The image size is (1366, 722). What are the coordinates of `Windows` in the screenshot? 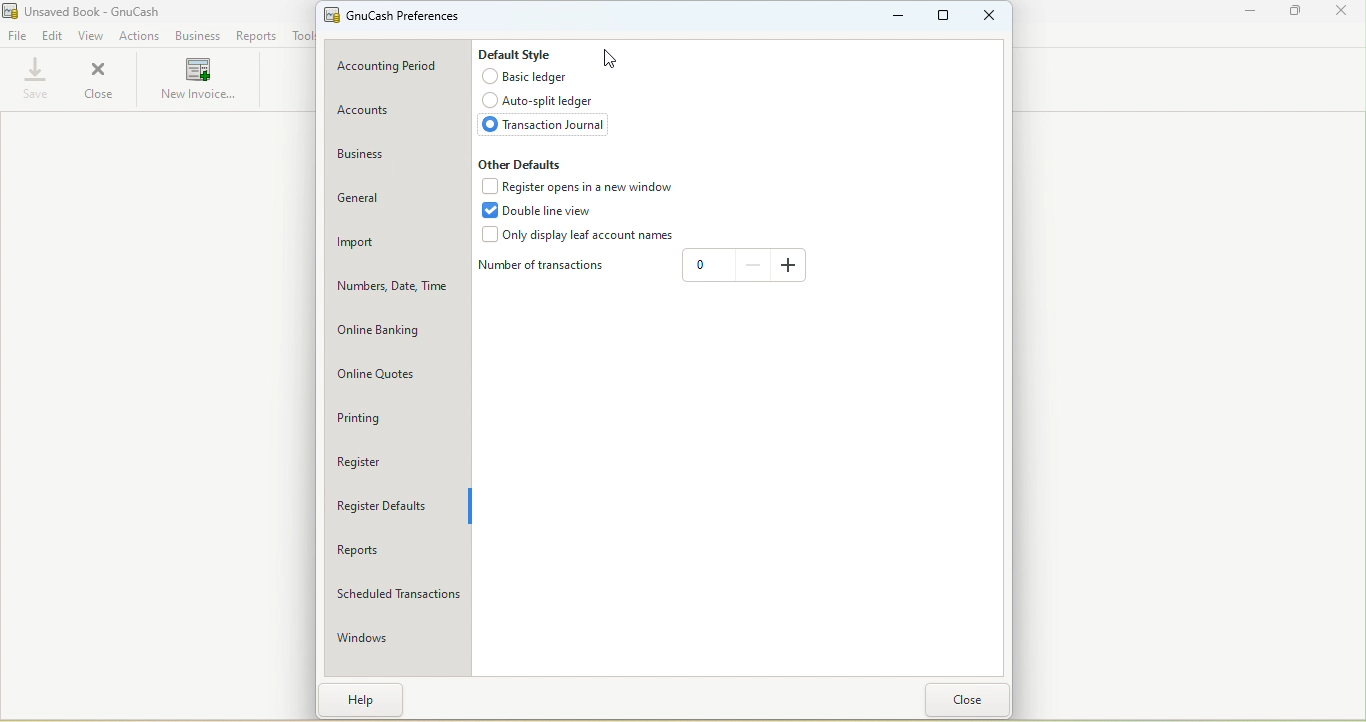 It's located at (399, 638).